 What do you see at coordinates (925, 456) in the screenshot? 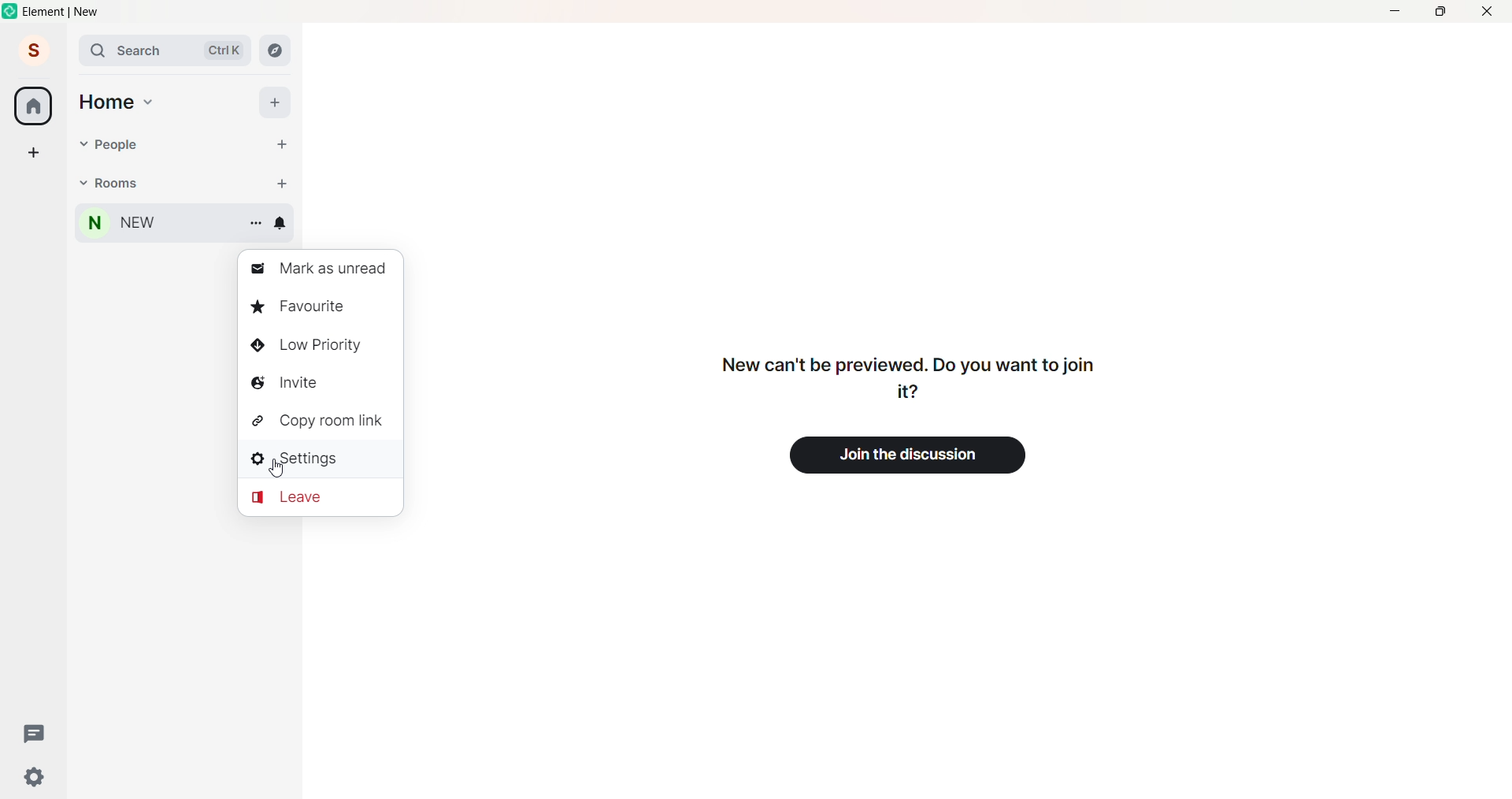
I see `join the discussion` at bounding box center [925, 456].